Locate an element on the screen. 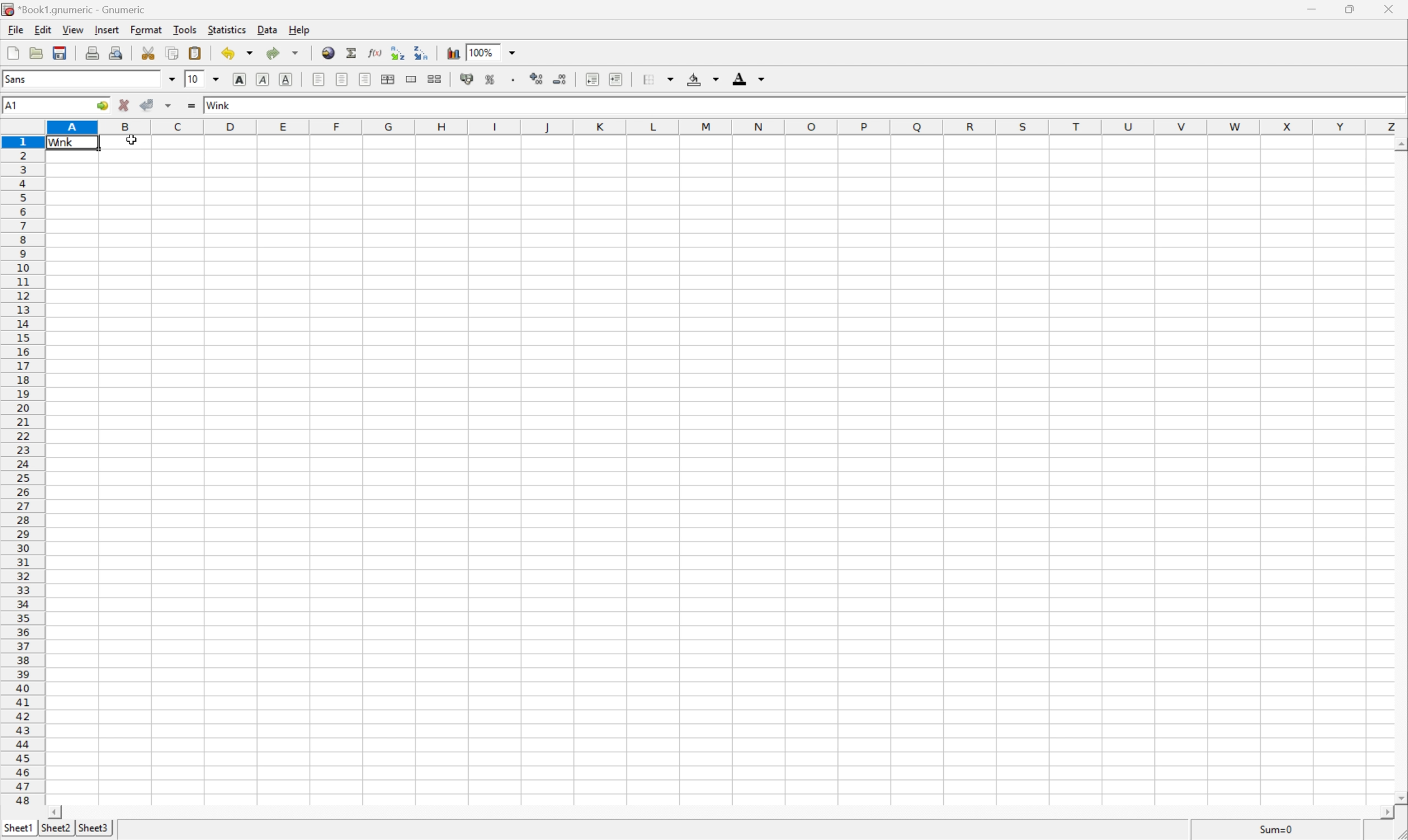  save current workbook is located at coordinates (60, 53).